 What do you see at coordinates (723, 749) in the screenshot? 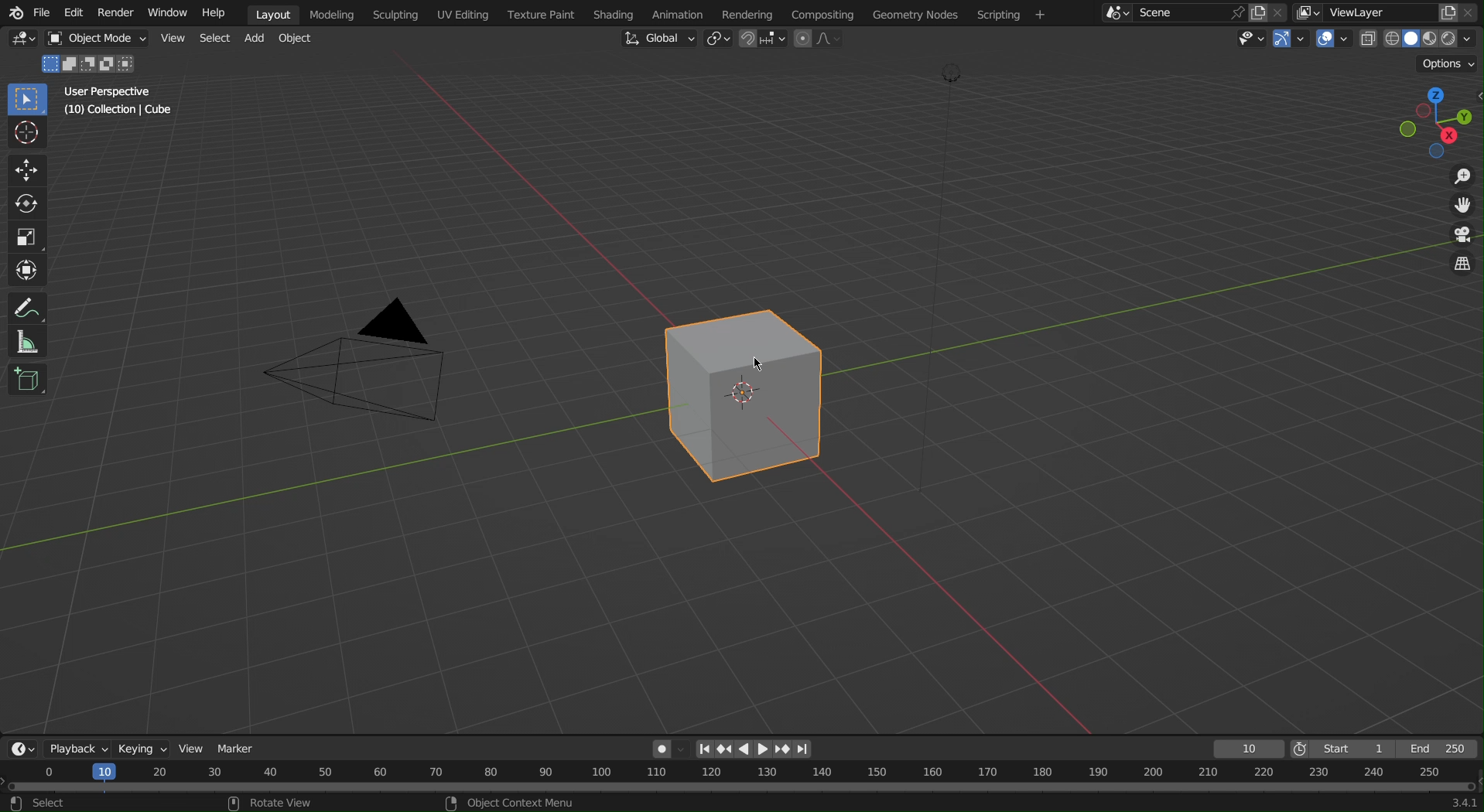
I see `Previous` at bounding box center [723, 749].